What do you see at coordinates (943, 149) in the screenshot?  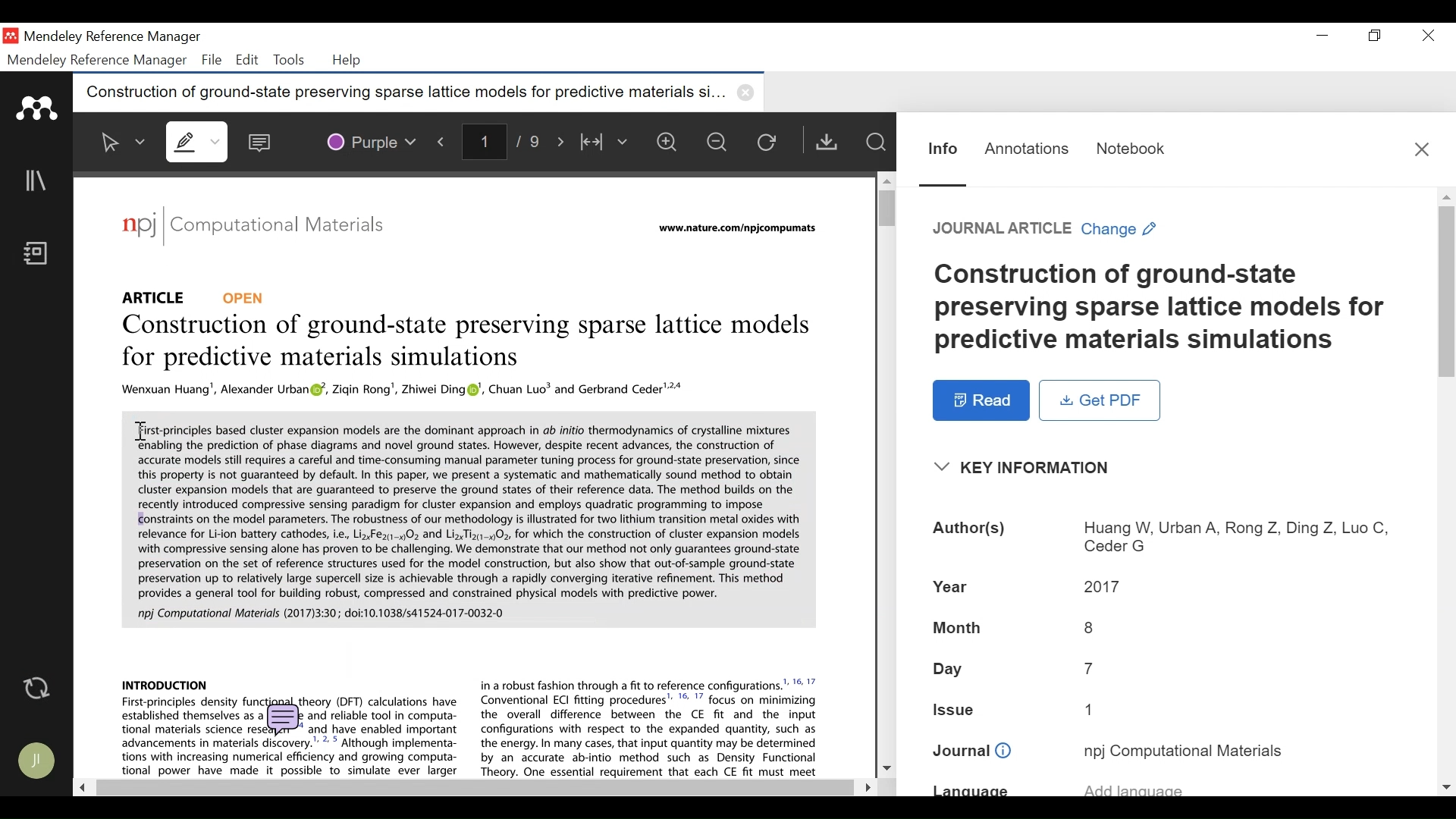 I see `Information ` at bounding box center [943, 149].